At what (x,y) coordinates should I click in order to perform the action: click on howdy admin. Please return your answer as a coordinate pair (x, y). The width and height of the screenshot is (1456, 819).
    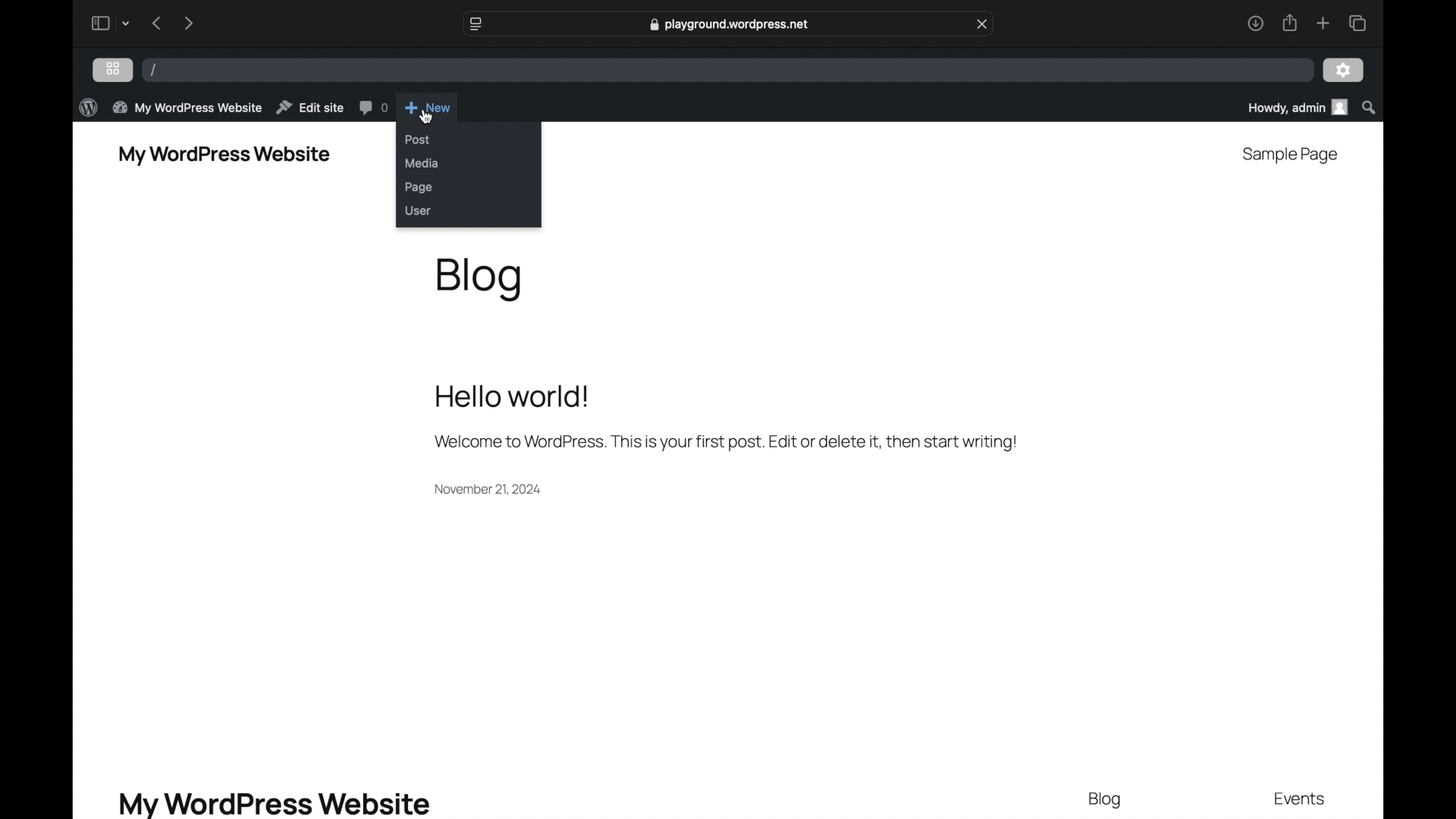
    Looking at the image, I should click on (1296, 108).